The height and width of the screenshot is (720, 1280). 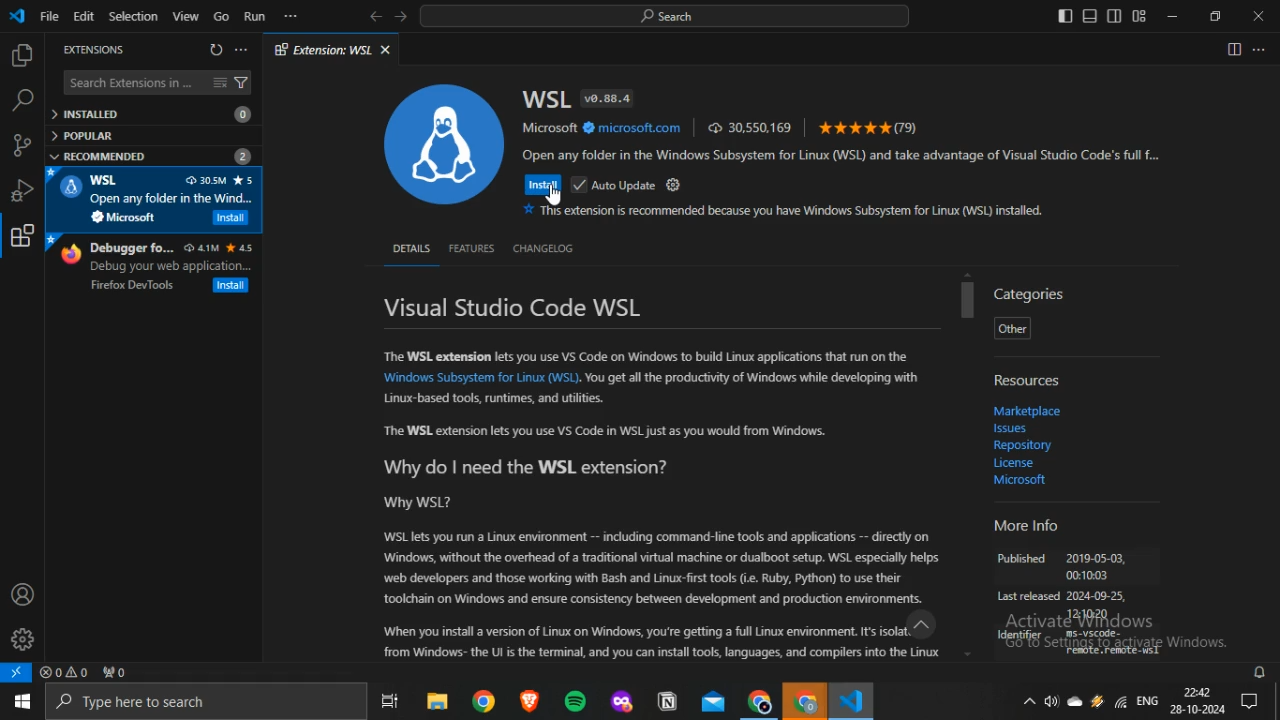 What do you see at coordinates (92, 51) in the screenshot?
I see `EXTENSIONS` at bounding box center [92, 51].